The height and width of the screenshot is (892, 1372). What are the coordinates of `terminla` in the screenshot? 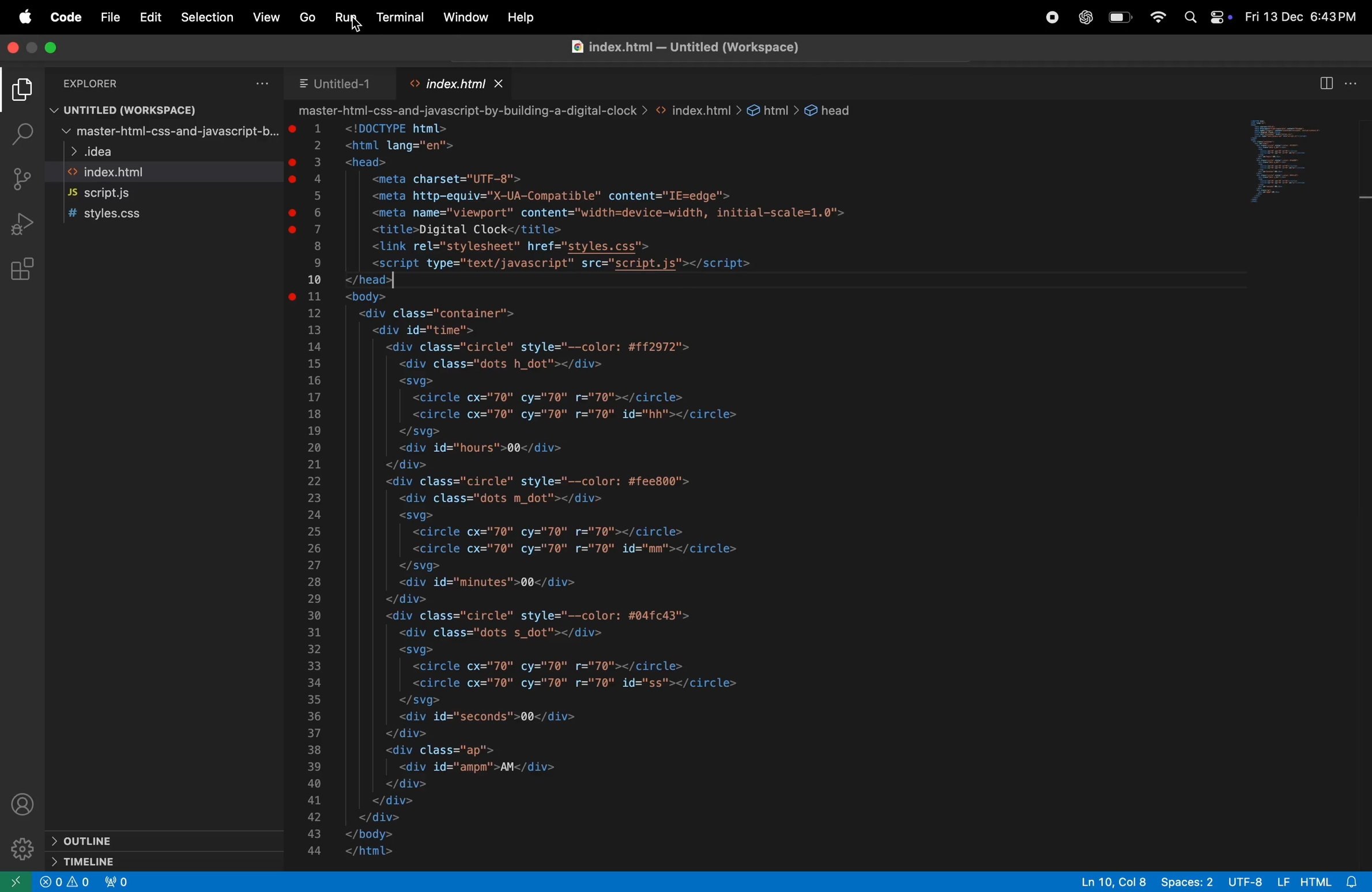 It's located at (398, 17).